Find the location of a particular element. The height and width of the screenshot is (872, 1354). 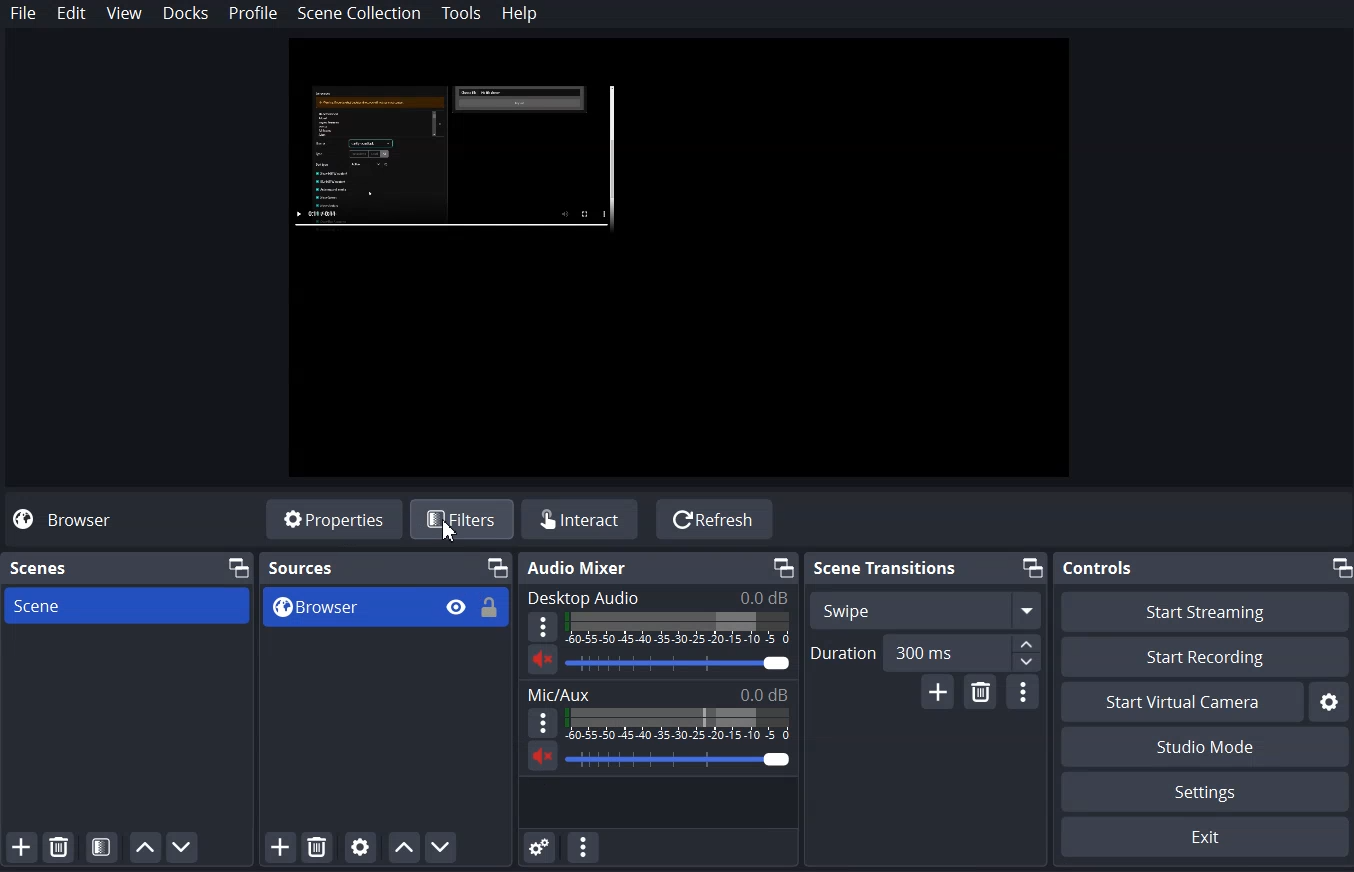

Duration Adjuster is located at coordinates (924, 652).